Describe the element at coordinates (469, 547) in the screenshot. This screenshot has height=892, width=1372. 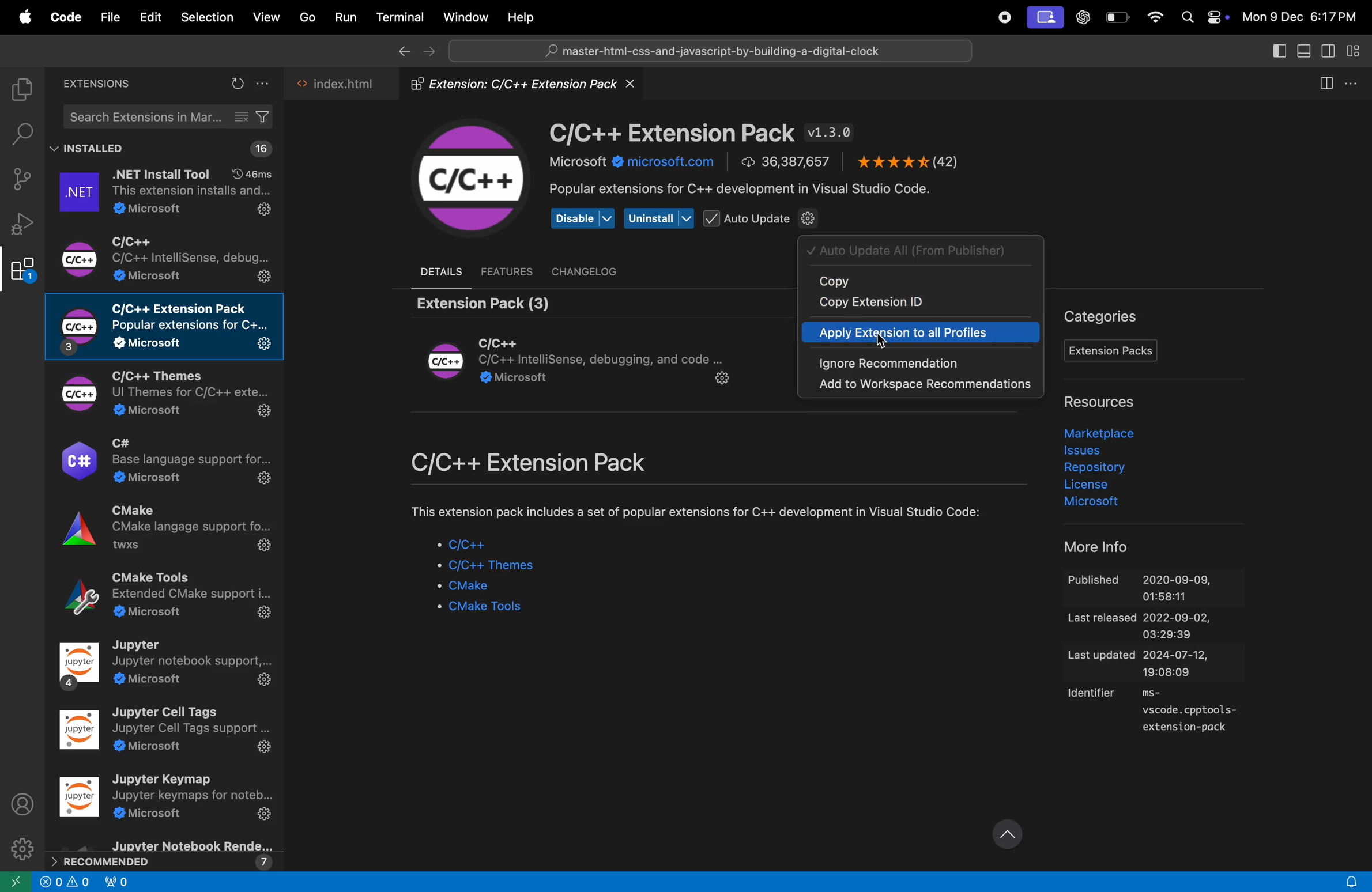
I see `c/C++` at that location.